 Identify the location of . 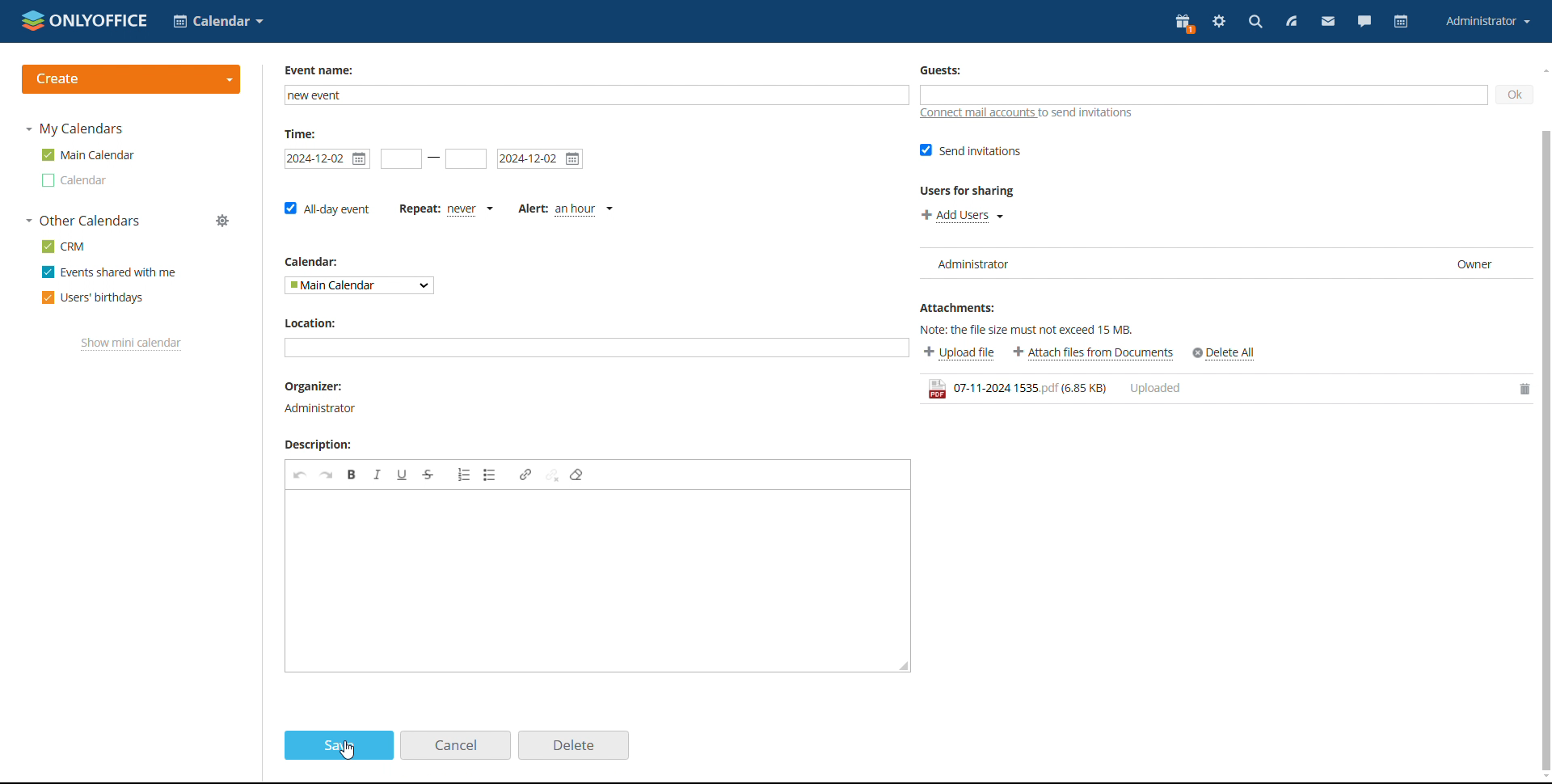
(222, 218).